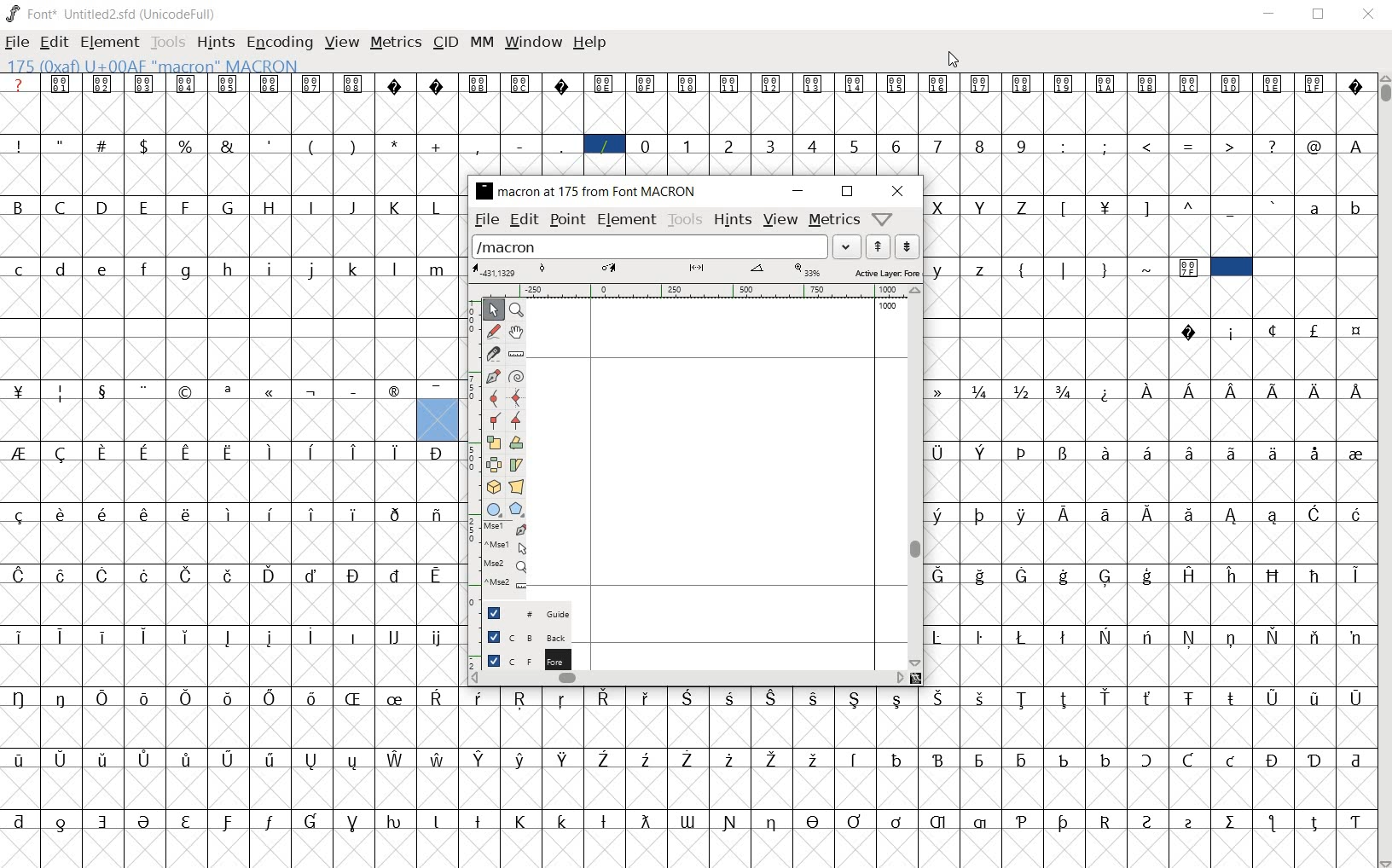  I want to click on Symbol, so click(439, 758).